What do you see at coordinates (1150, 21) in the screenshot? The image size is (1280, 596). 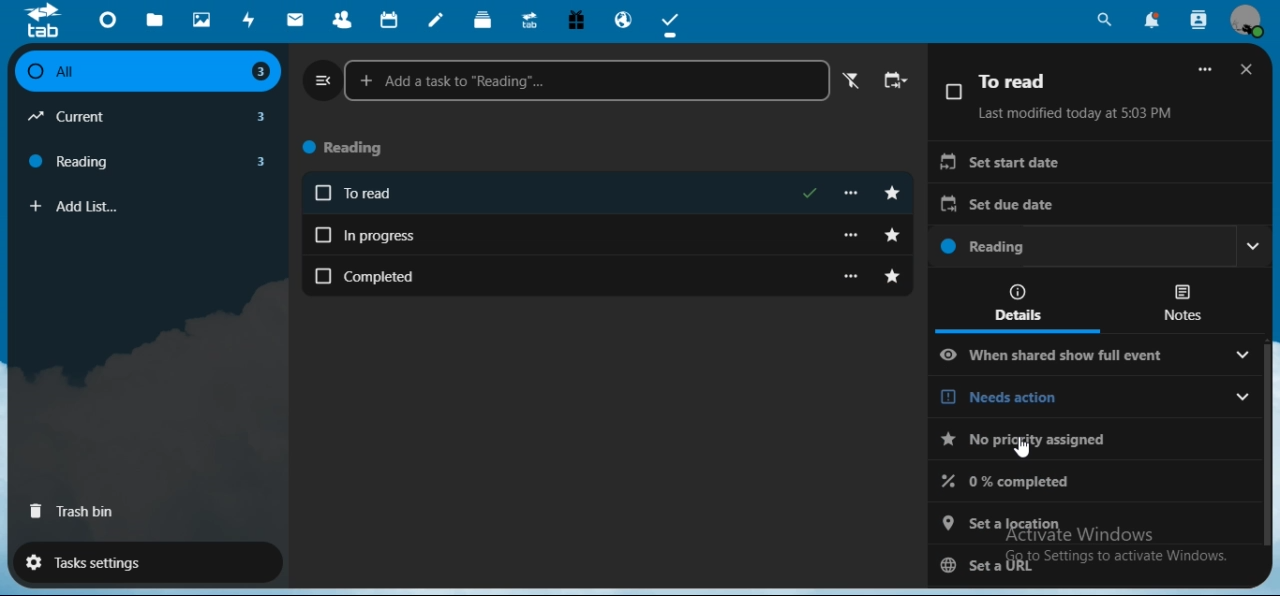 I see `notifications` at bounding box center [1150, 21].